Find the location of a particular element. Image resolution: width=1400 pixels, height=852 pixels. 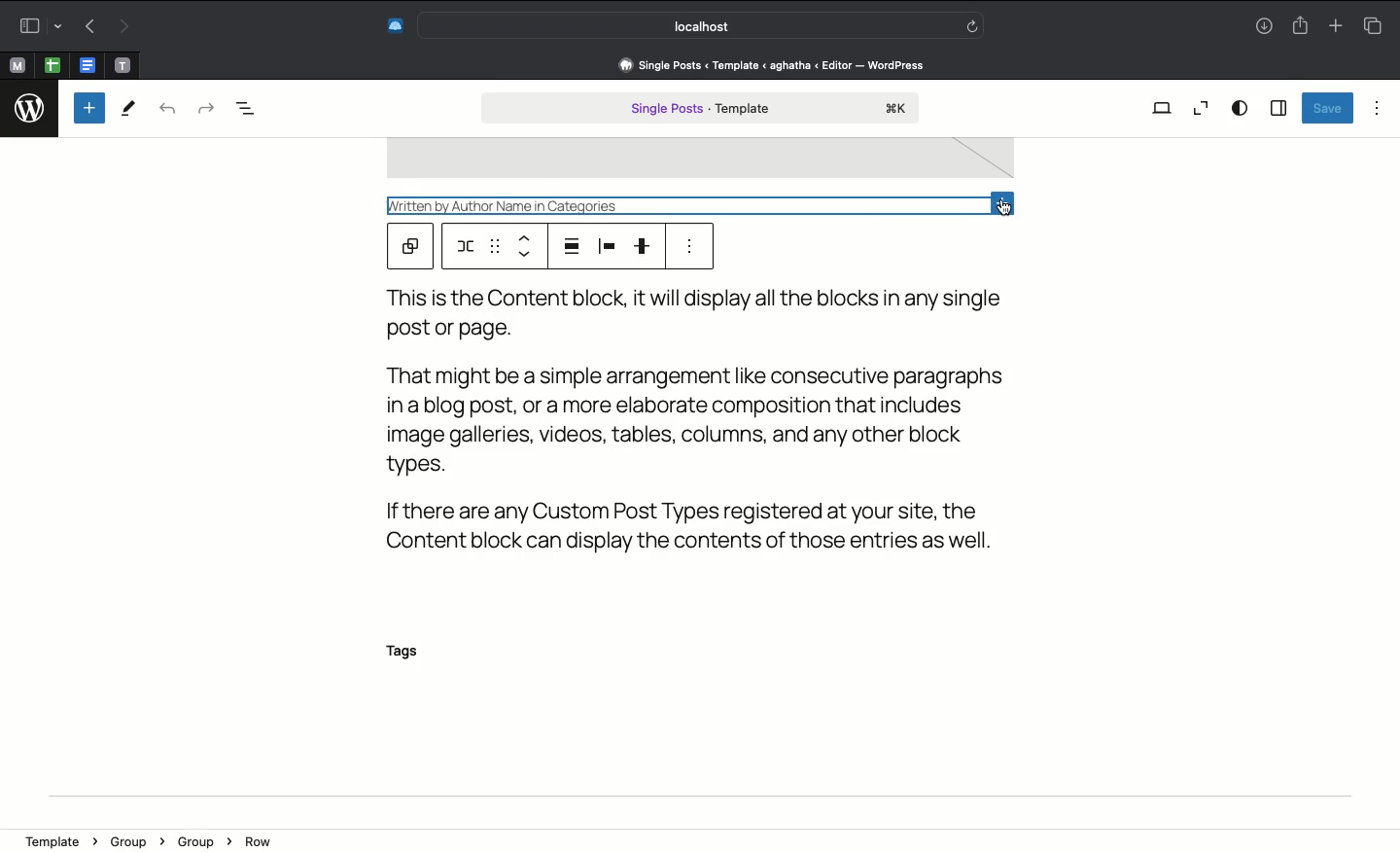

Add block is located at coordinates (1005, 199).